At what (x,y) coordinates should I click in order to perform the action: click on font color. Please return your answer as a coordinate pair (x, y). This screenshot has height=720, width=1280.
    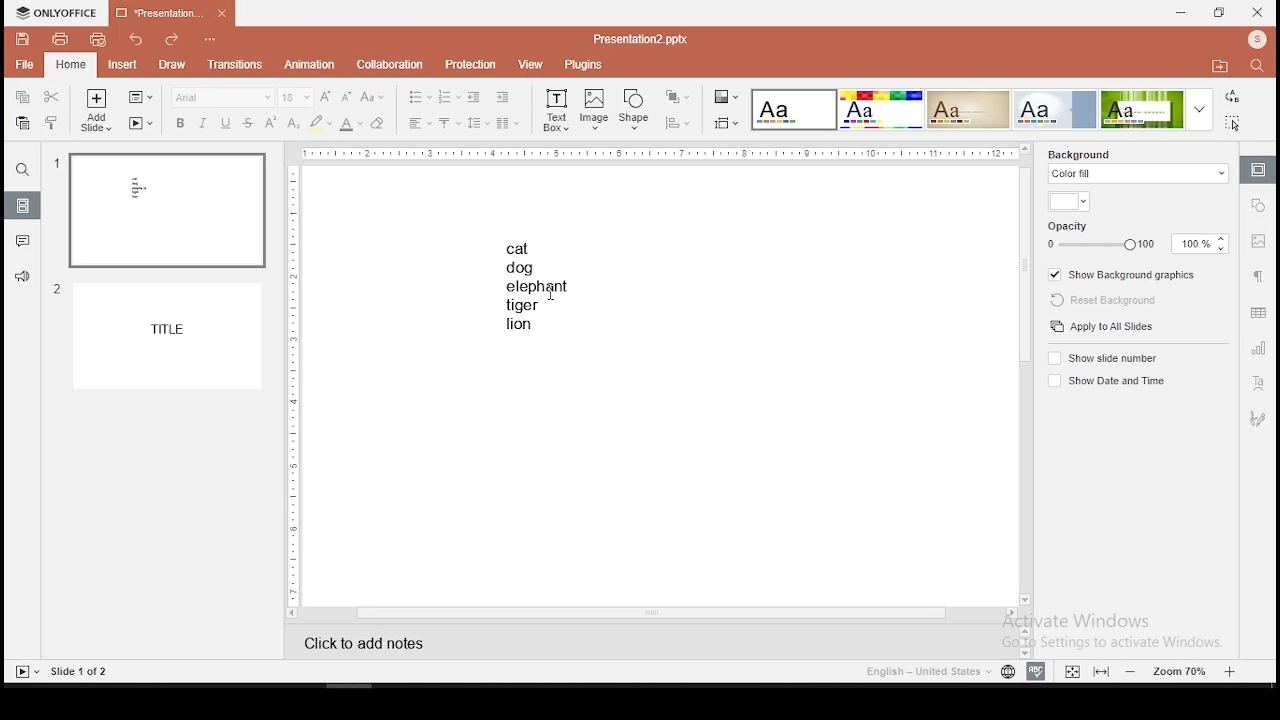
    Looking at the image, I should click on (350, 123).